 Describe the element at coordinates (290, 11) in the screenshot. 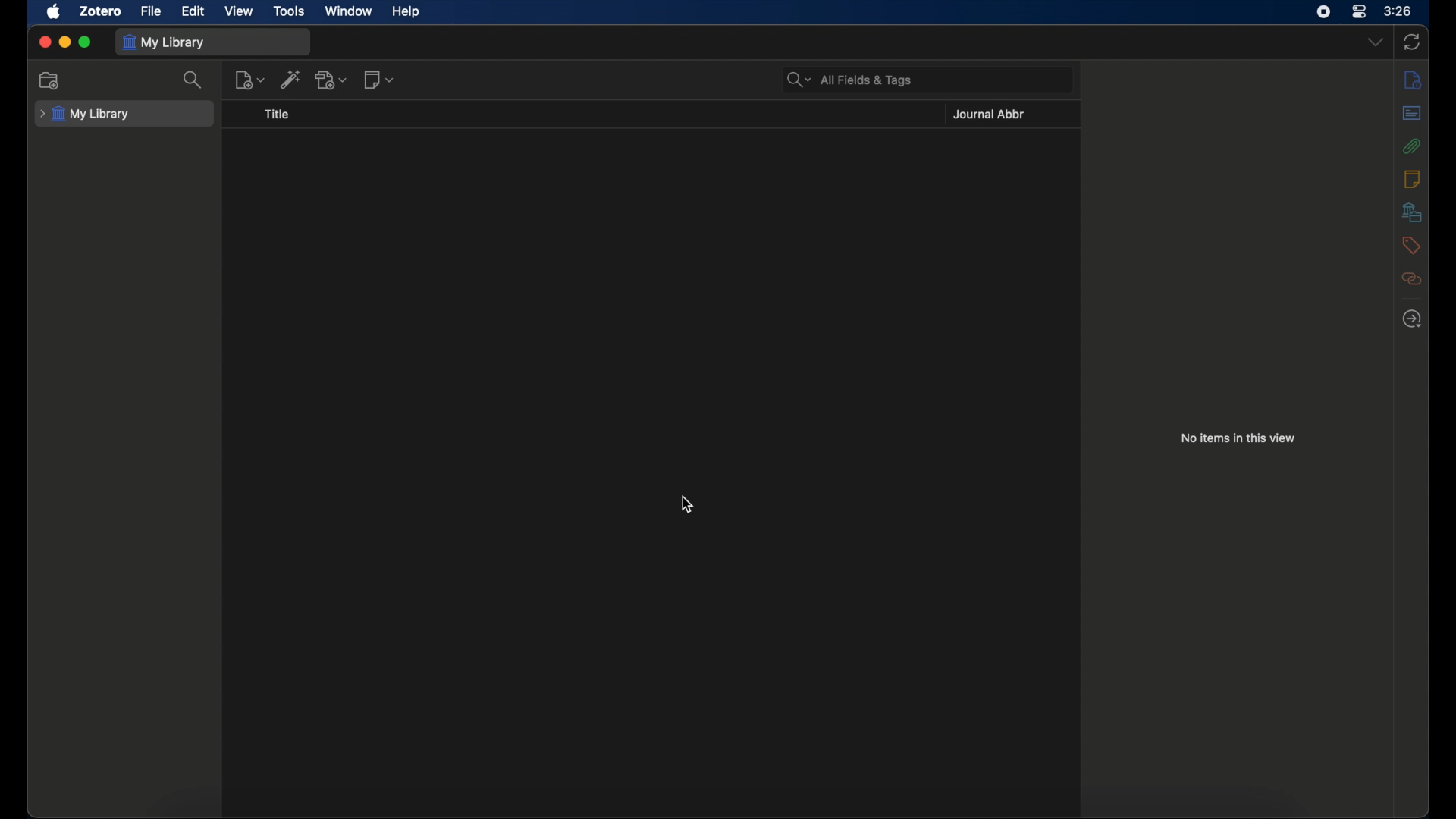

I see `tools` at that location.